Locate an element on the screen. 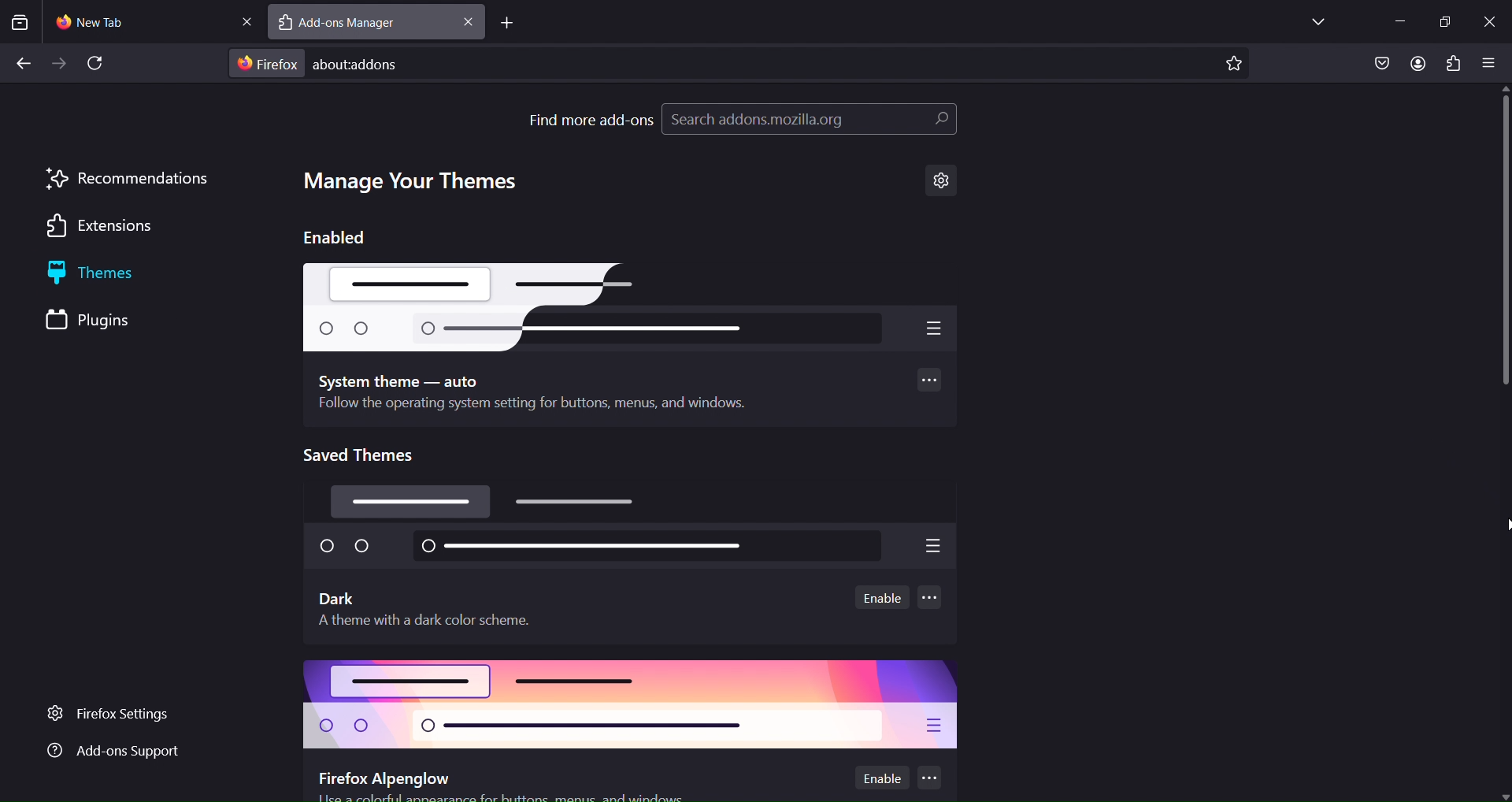 This screenshot has width=1512, height=802. go forward one page is located at coordinates (61, 65).